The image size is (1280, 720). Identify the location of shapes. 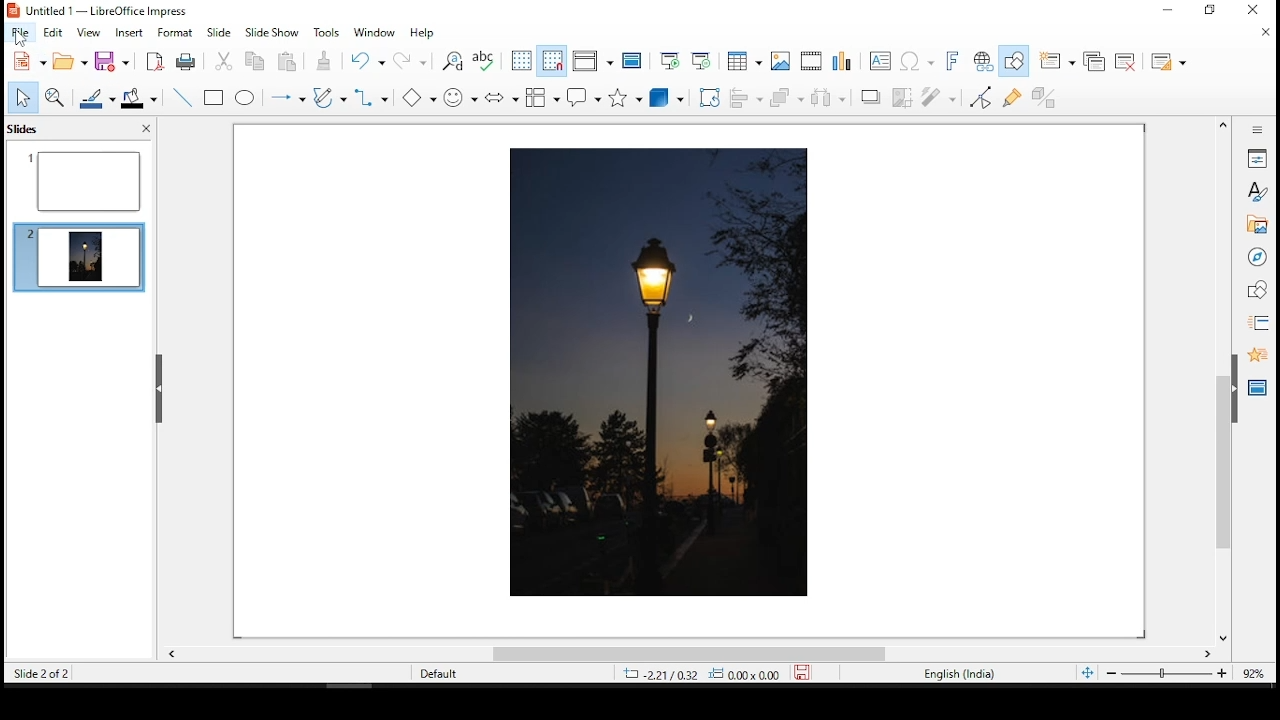
(1259, 293).